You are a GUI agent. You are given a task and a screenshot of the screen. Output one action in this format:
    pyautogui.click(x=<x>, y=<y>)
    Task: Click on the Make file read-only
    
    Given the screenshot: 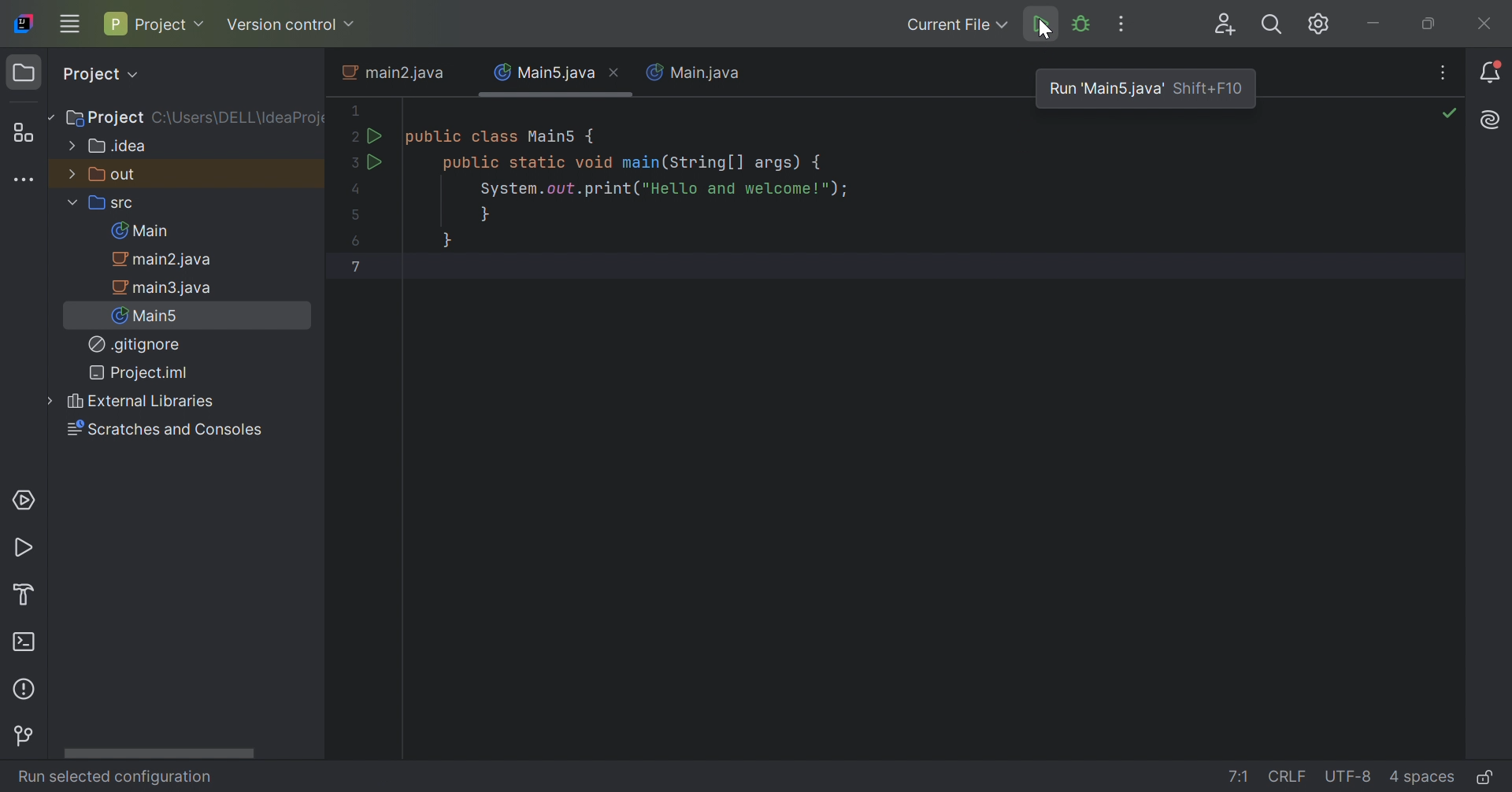 What is the action you would take?
    pyautogui.click(x=1484, y=779)
    